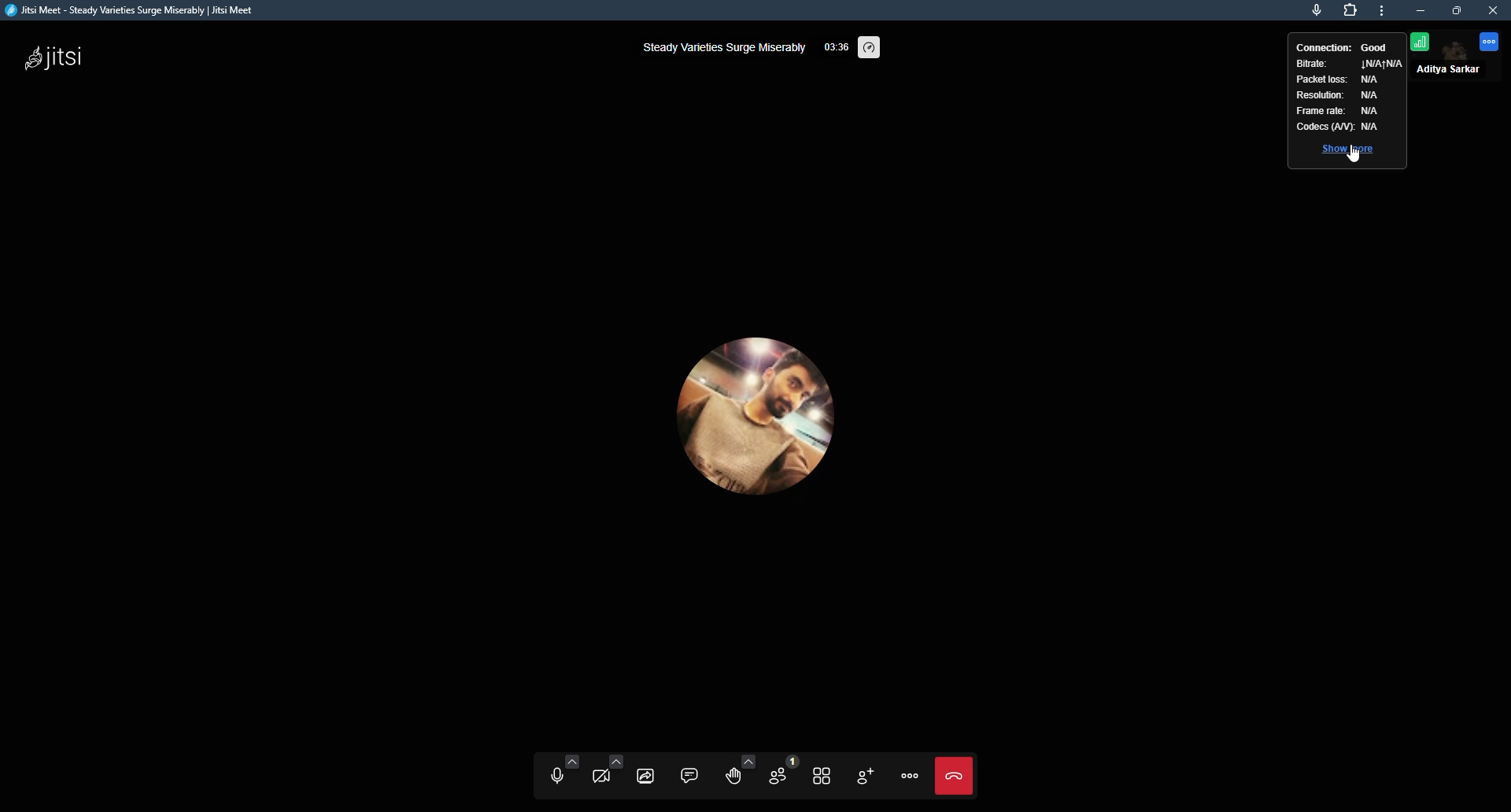 The height and width of the screenshot is (812, 1511). I want to click on codecs, so click(1323, 127).